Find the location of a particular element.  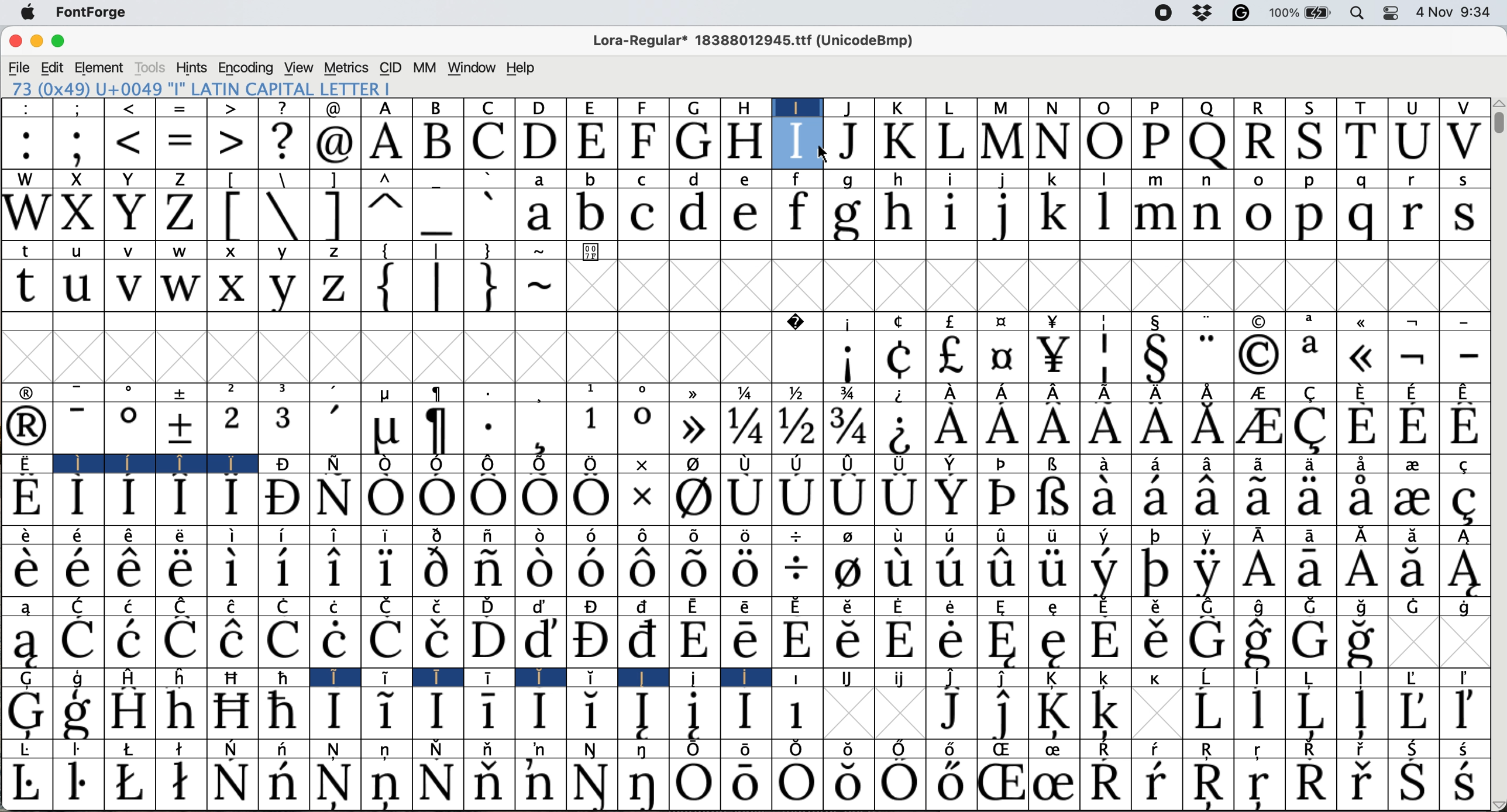

Symbol is located at coordinates (796, 570).